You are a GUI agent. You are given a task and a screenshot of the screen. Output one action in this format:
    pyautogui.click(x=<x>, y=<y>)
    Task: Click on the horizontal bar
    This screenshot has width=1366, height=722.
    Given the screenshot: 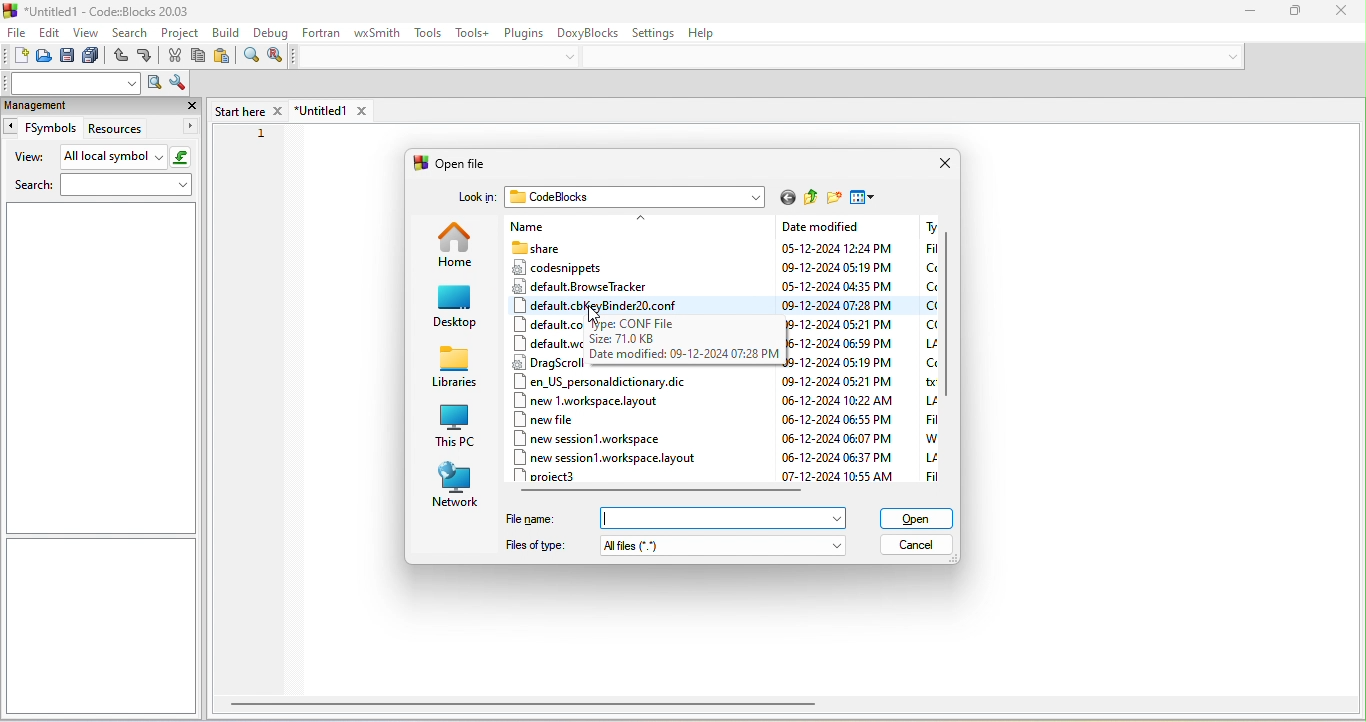 What is the action you would take?
    pyautogui.click(x=671, y=490)
    